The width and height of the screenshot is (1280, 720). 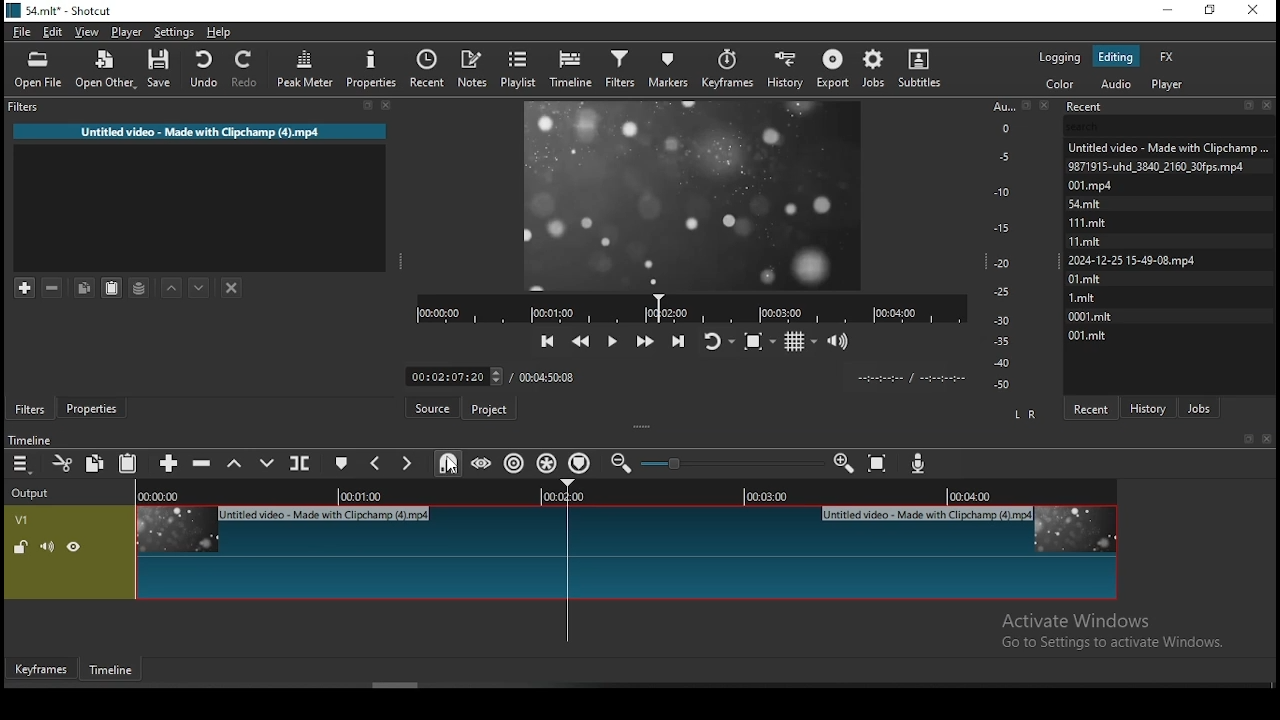 I want to click on toggle player looping, so click(x=718, y=342).